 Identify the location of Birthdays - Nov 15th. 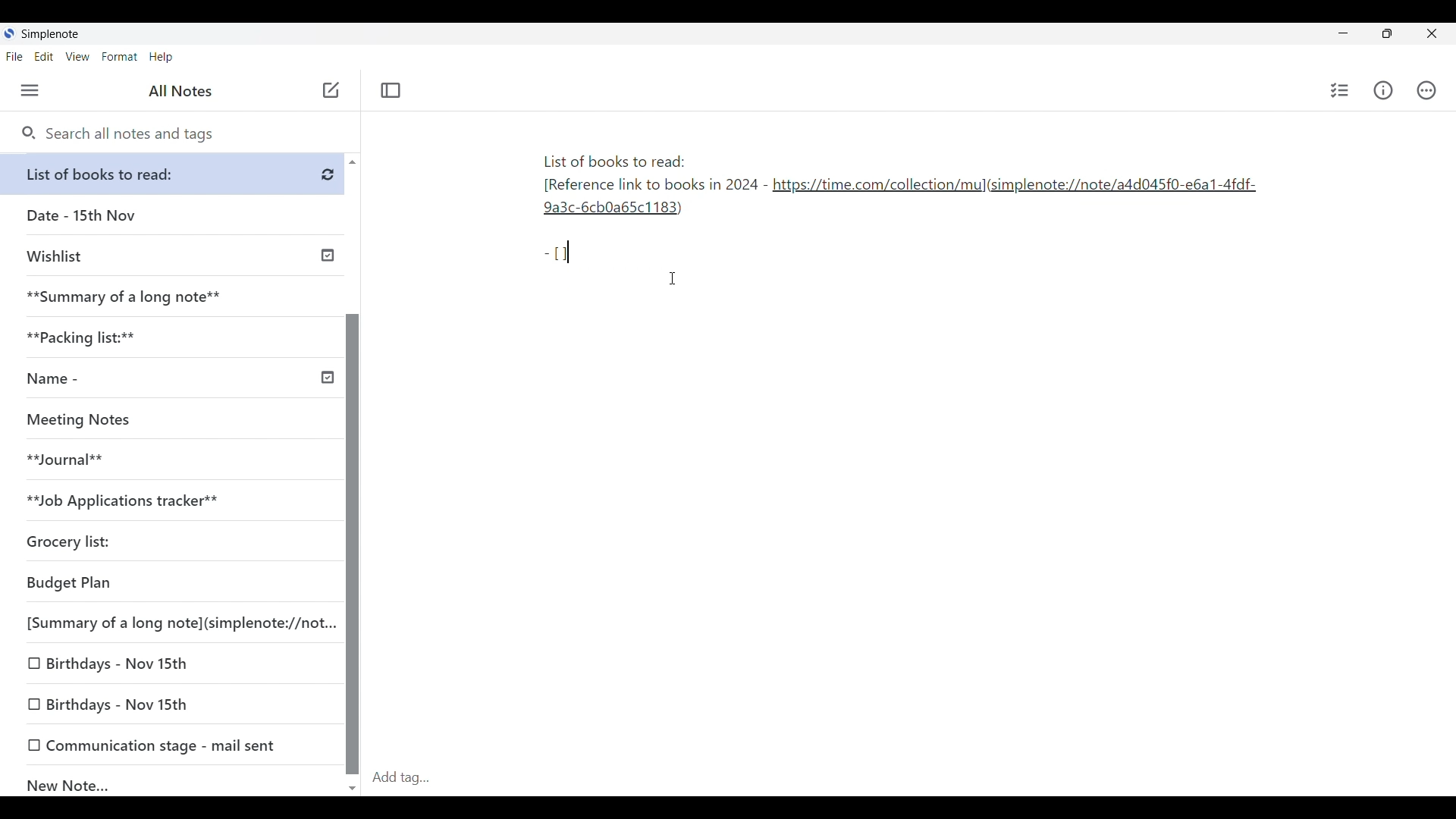
(171, 664).